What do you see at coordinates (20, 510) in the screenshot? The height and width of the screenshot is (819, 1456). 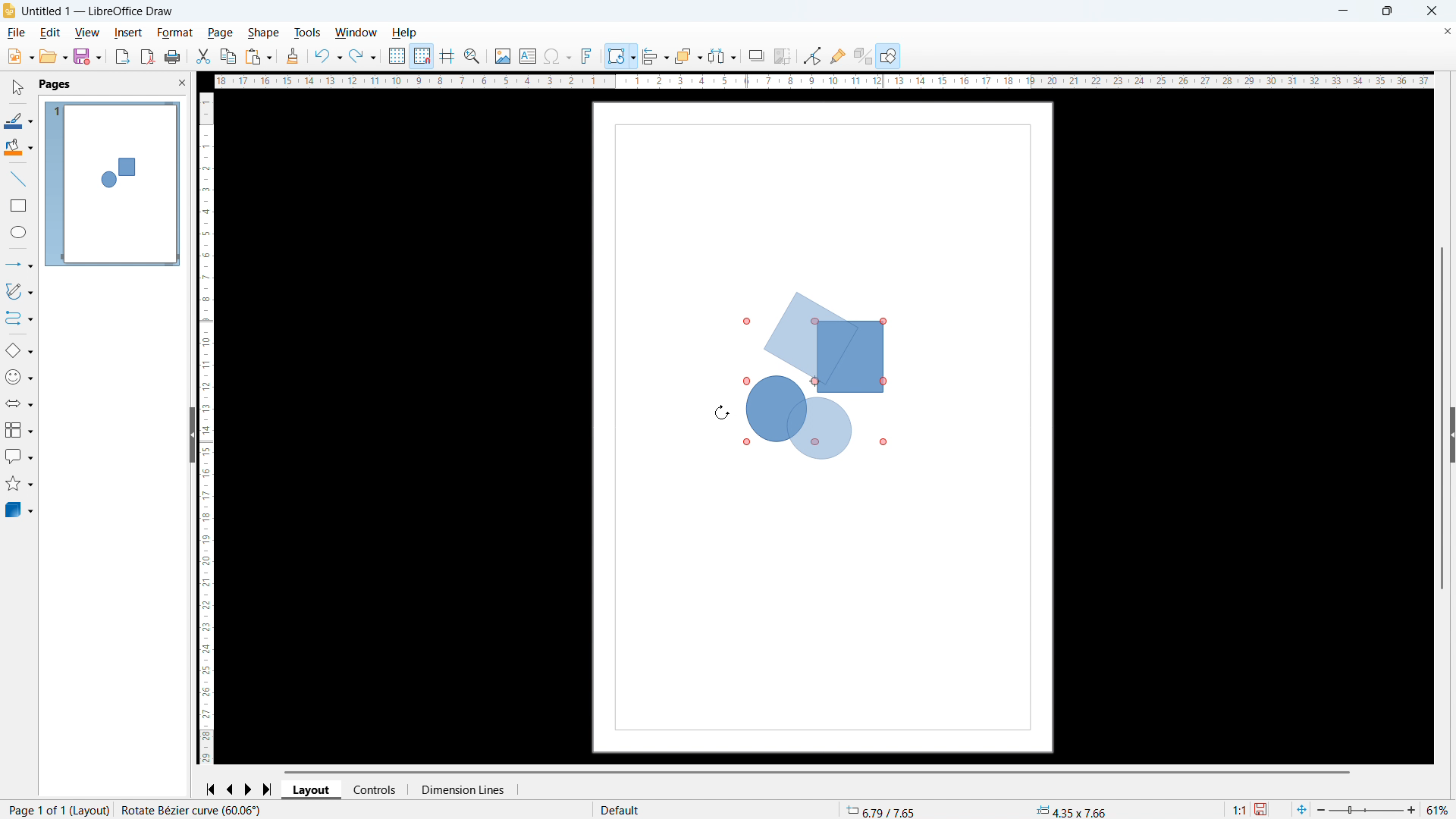 I see `3D objects ` at bounding box center [20, 510].